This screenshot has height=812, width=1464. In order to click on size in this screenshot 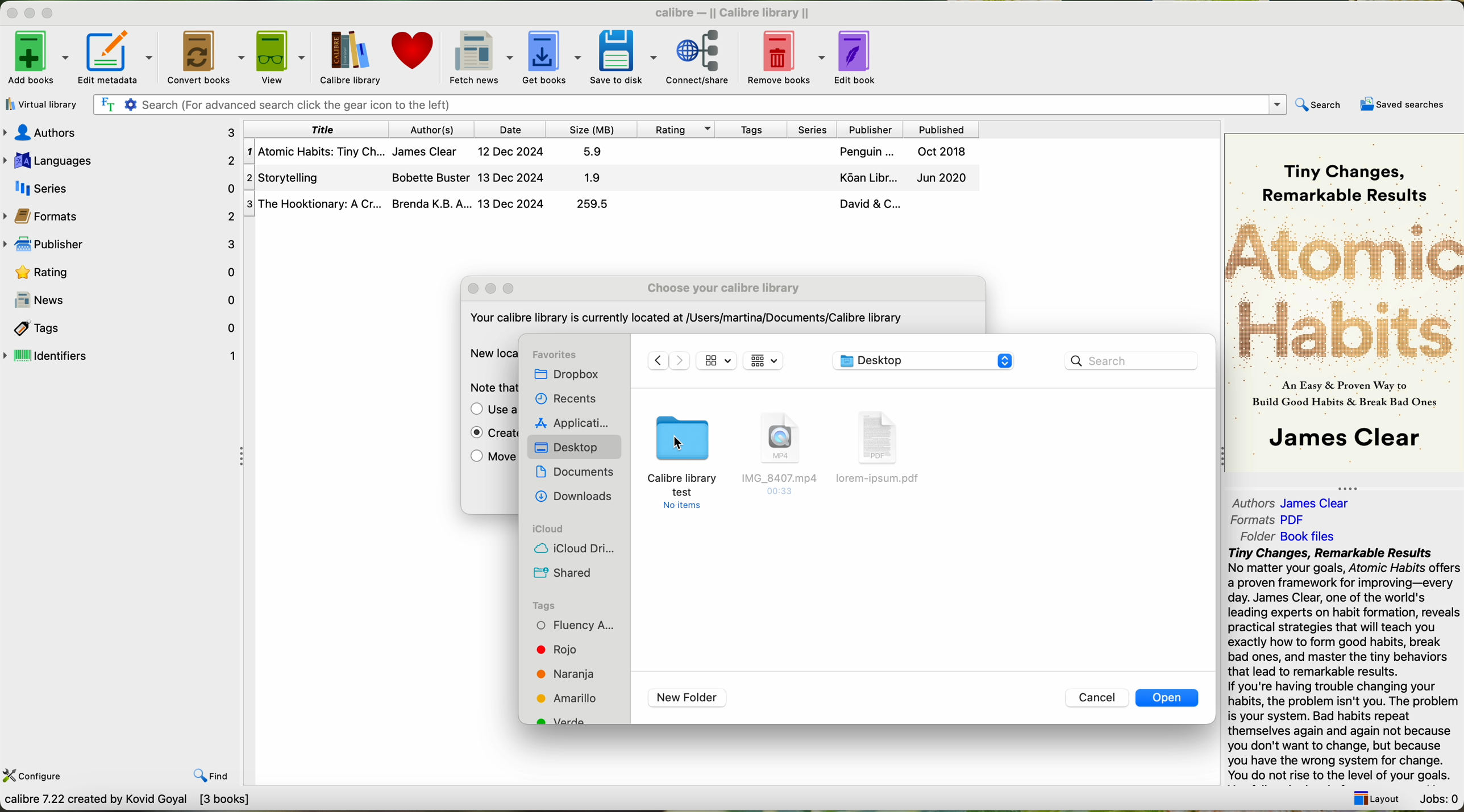, I will do `click(590, 129)`.